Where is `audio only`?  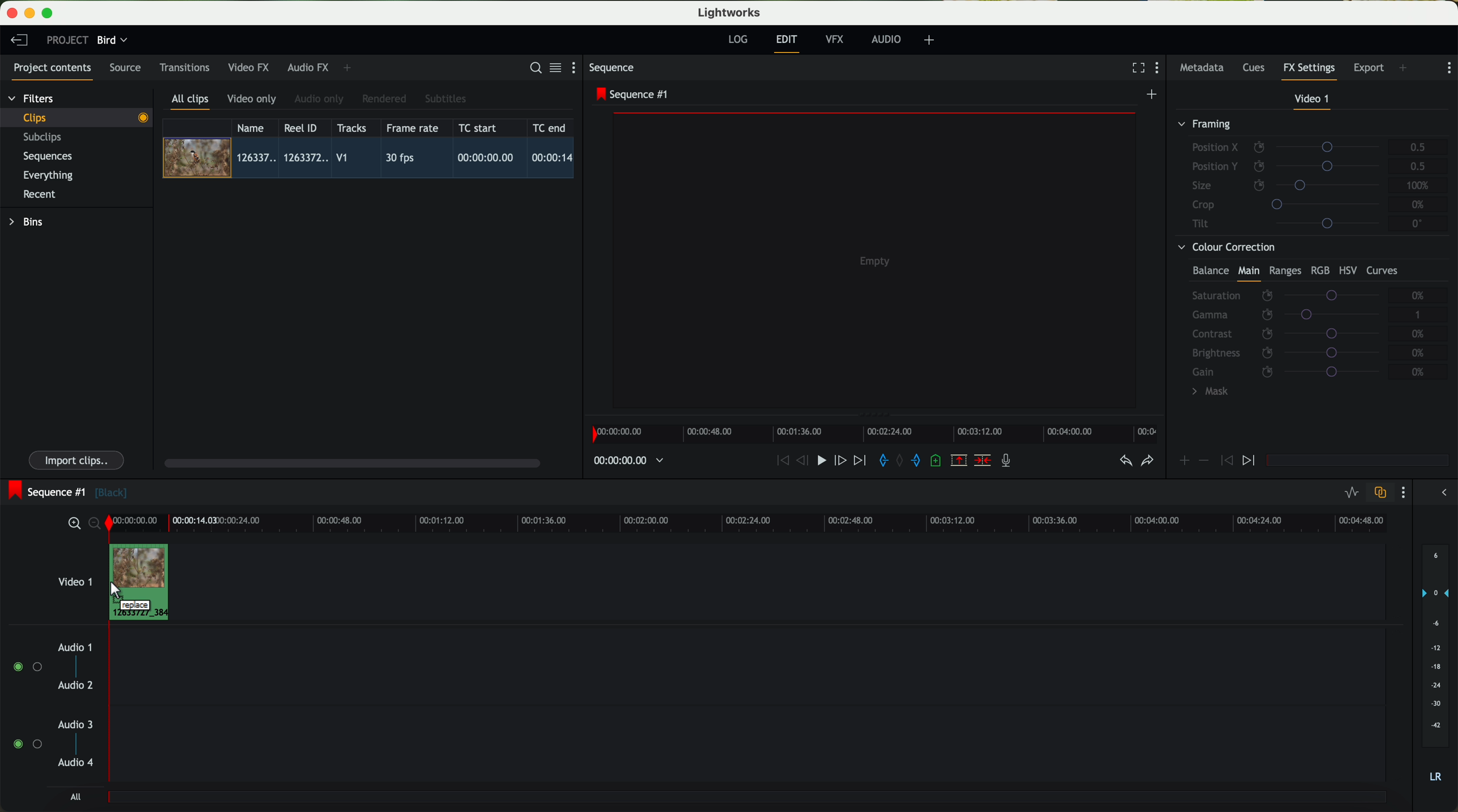 audio only is located at coordinates (320, 99).